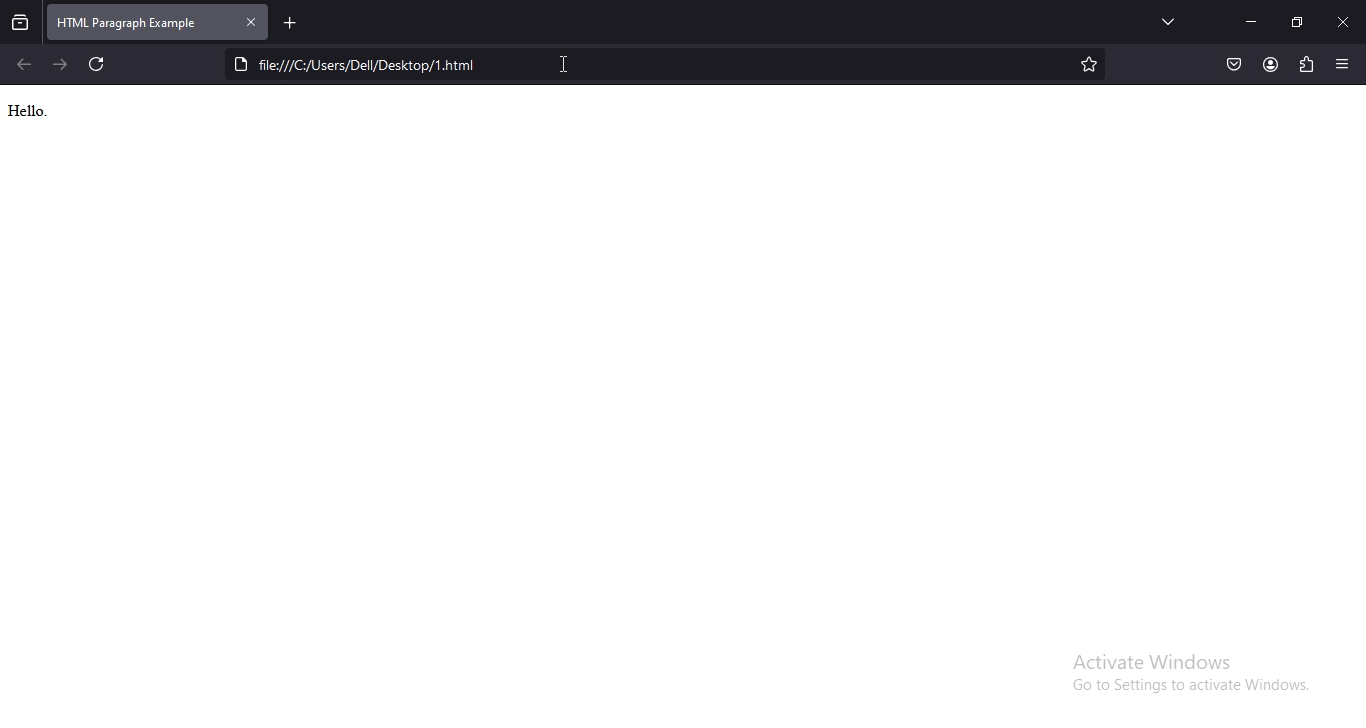 The image size is (1366, 728). What do you see at coordinates (1270, 63) in the screenshot?
I see `account` at bounding box center [1270, 63].